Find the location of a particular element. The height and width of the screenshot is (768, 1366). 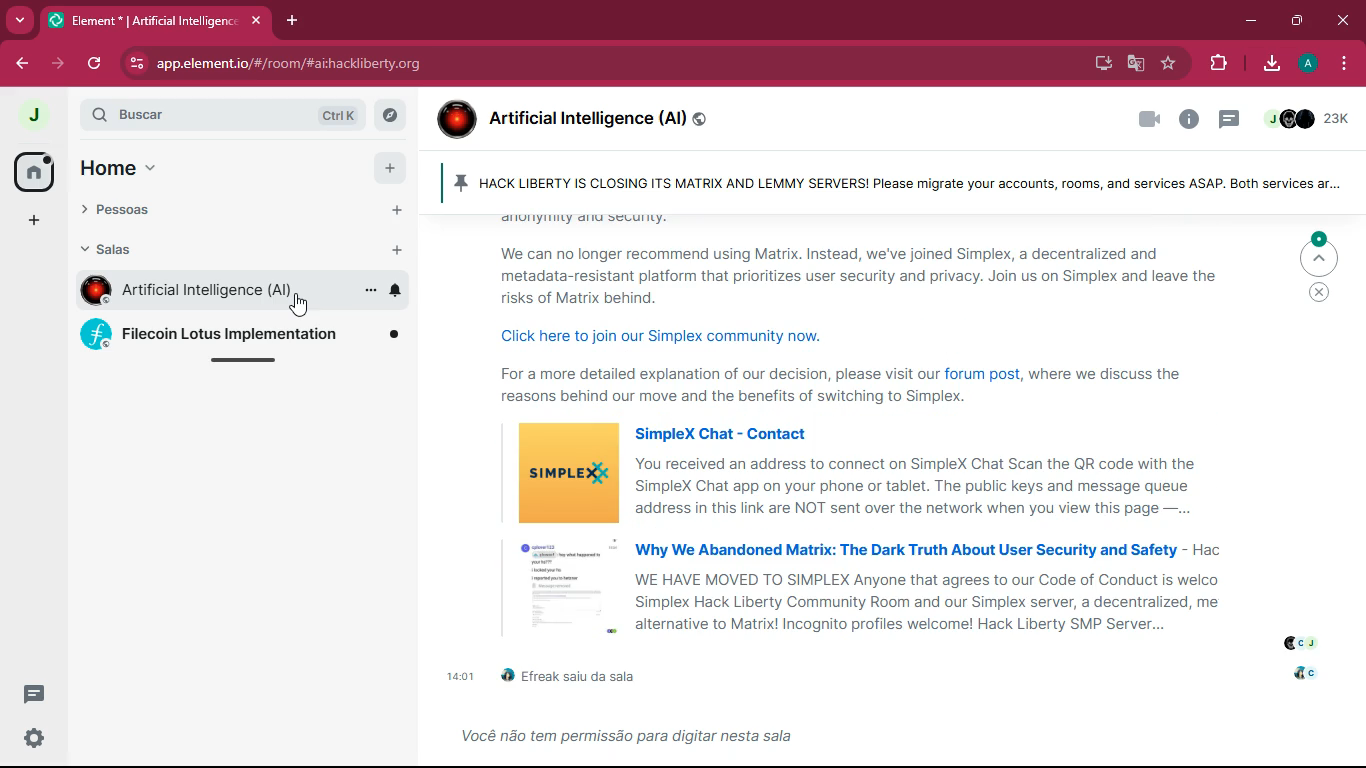

new message is located at coordinates (1227, 117).